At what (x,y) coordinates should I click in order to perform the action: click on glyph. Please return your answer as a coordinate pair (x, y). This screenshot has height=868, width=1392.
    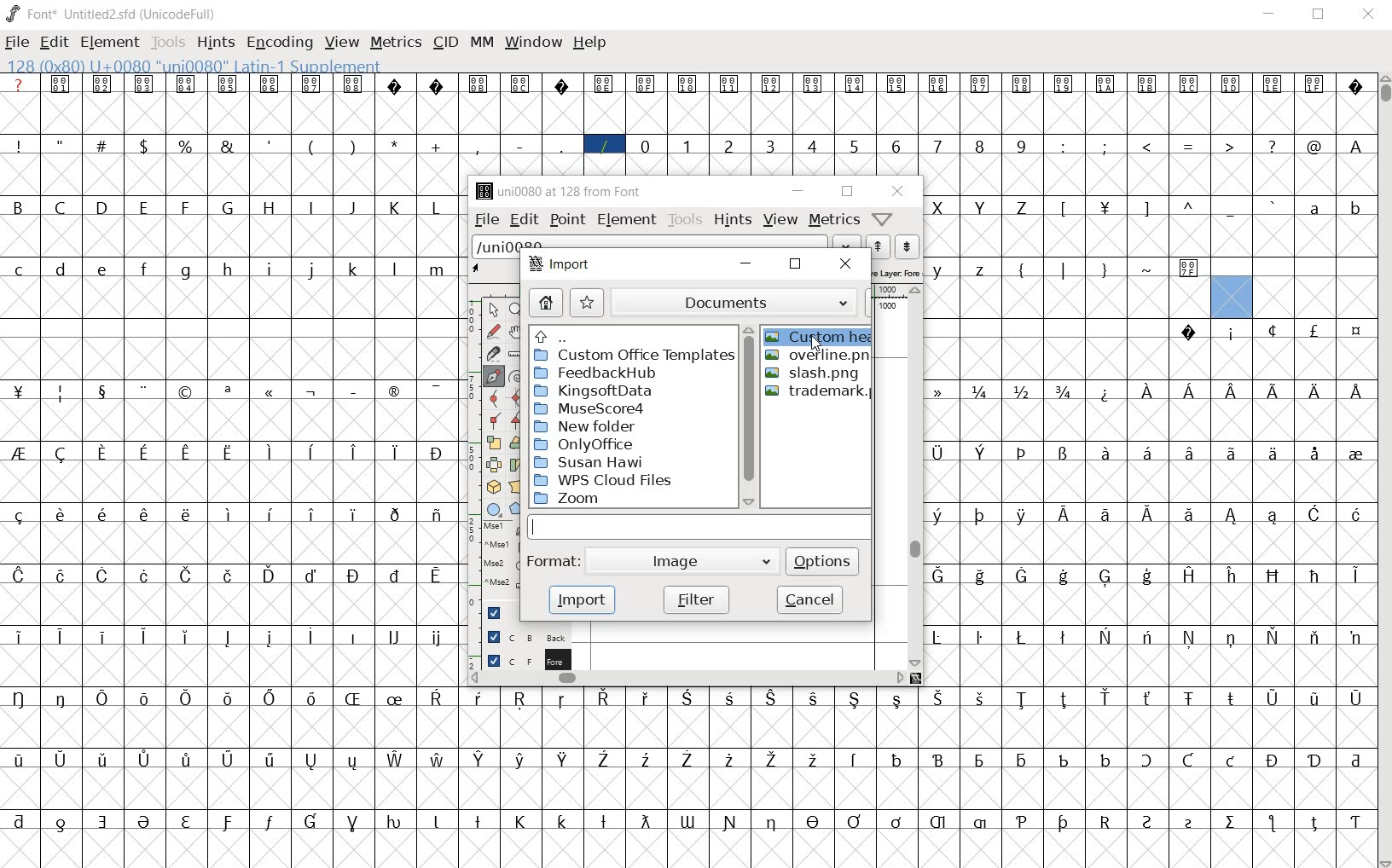
    Looking at the image, I should click on (1232, 84).